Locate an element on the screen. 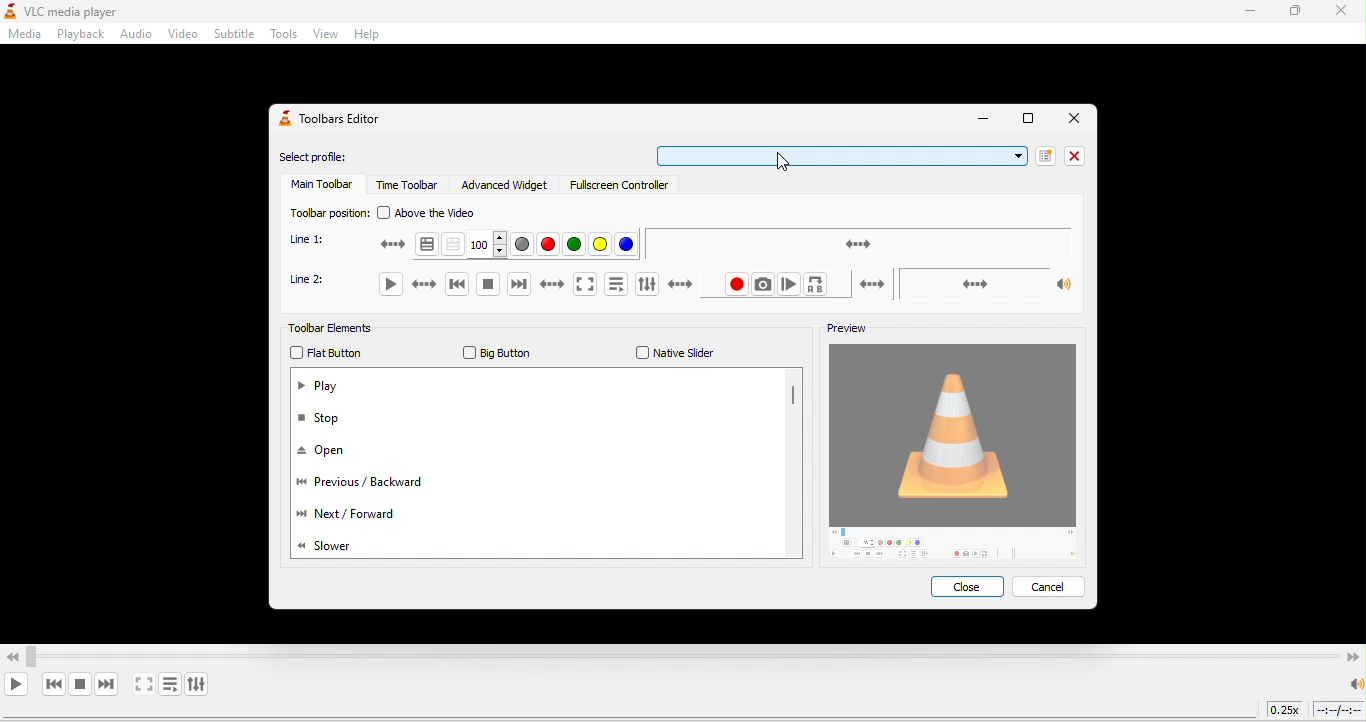 Image resolution: width=1366 pixels, height=722 pixels. timeline is located at coordinates (1339, 710).